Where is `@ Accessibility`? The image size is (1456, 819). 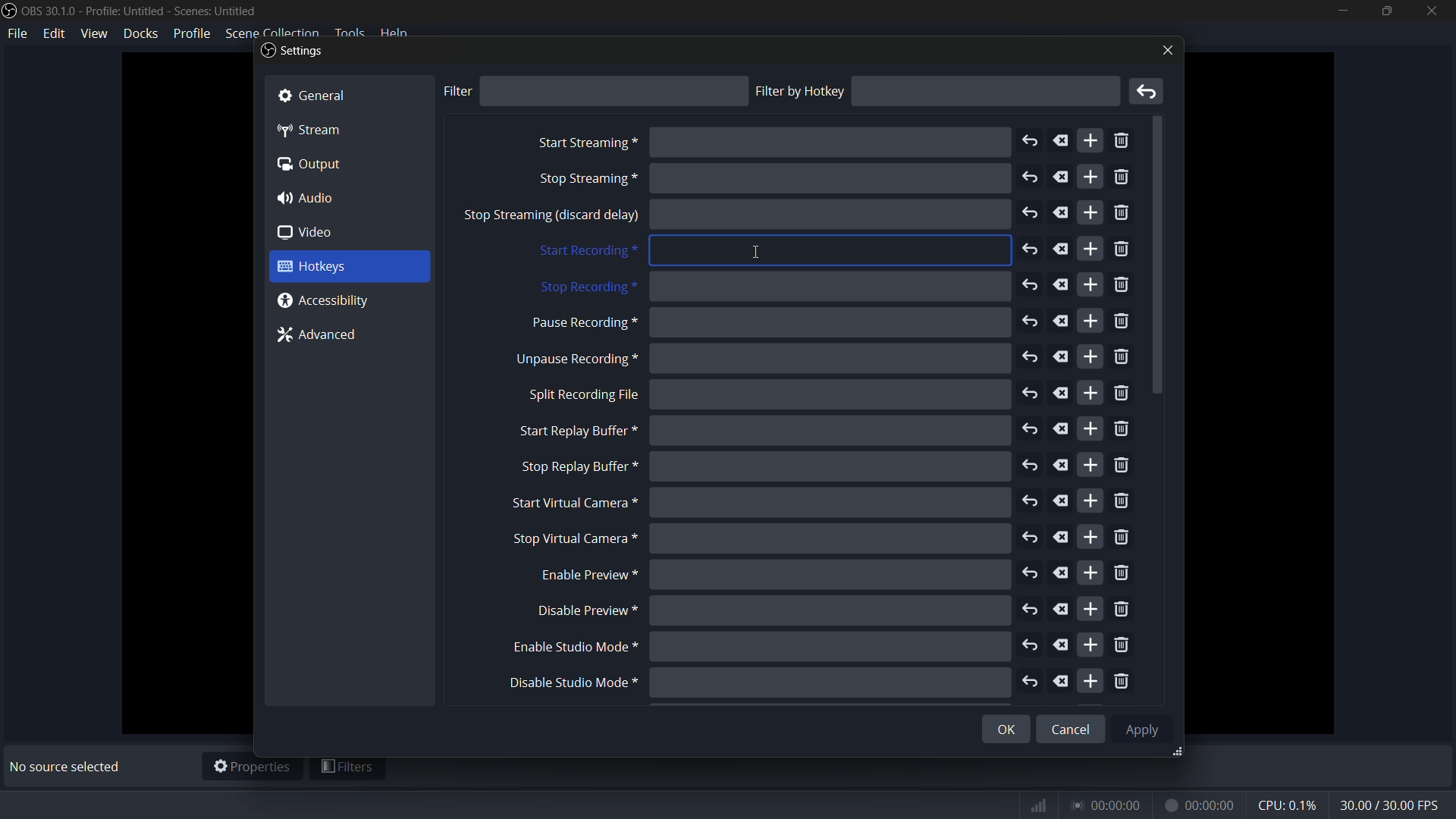
@ Accessibility is located at coordinates (330, 301).